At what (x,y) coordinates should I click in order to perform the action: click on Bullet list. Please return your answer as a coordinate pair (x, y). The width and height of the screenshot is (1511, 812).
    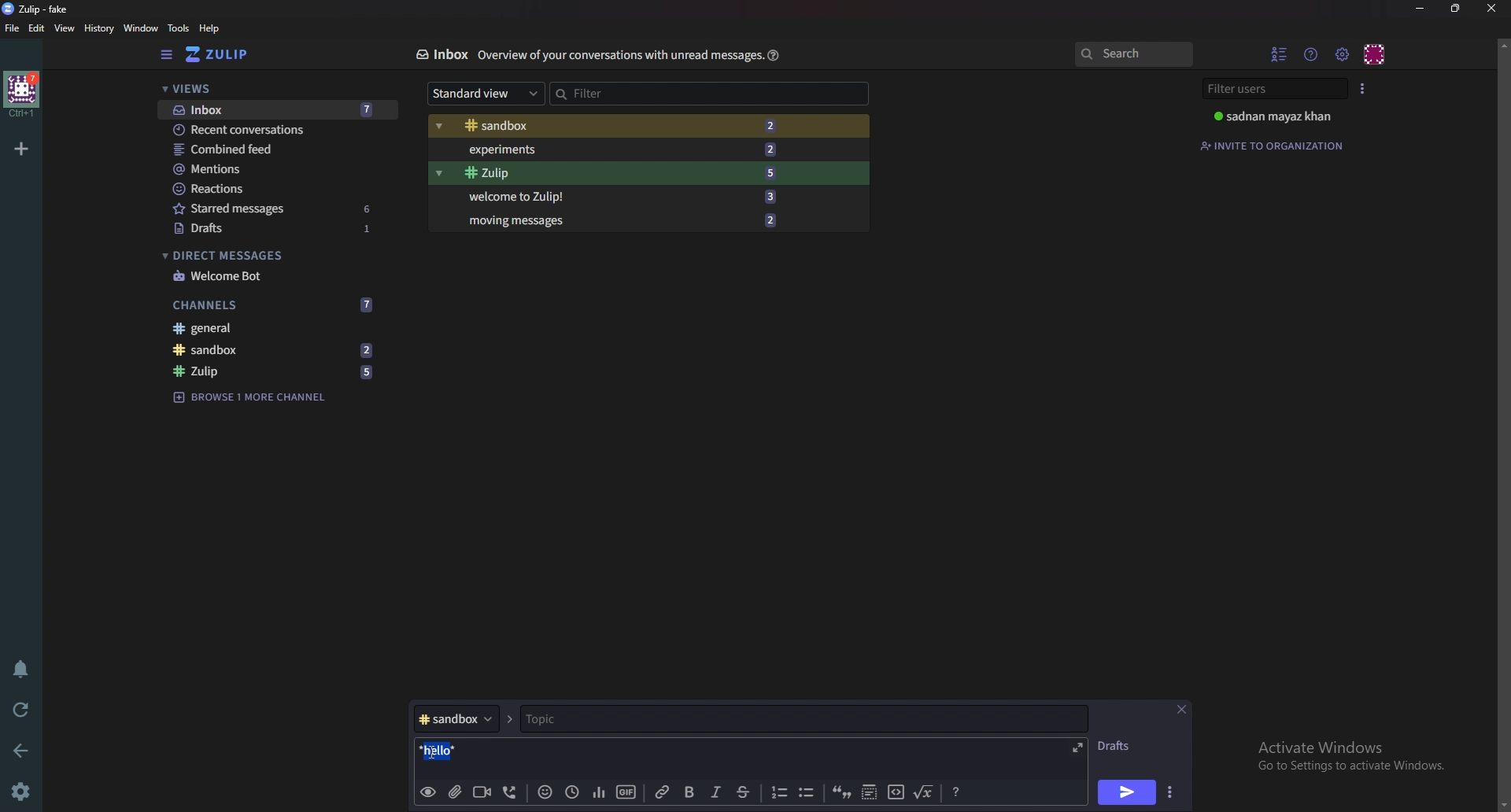
    Looking at the image, I should click on (808, 793).